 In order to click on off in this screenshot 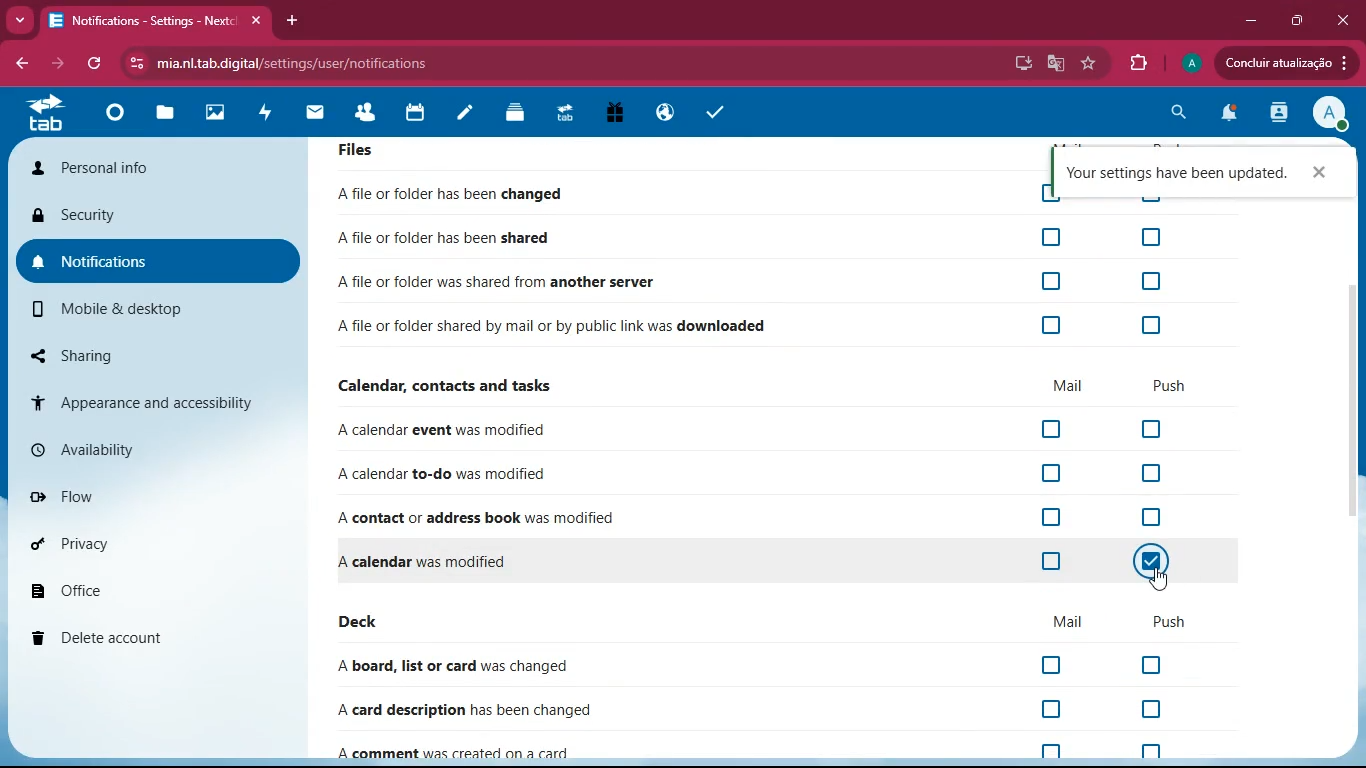, I will do `click(1152, 517)`.